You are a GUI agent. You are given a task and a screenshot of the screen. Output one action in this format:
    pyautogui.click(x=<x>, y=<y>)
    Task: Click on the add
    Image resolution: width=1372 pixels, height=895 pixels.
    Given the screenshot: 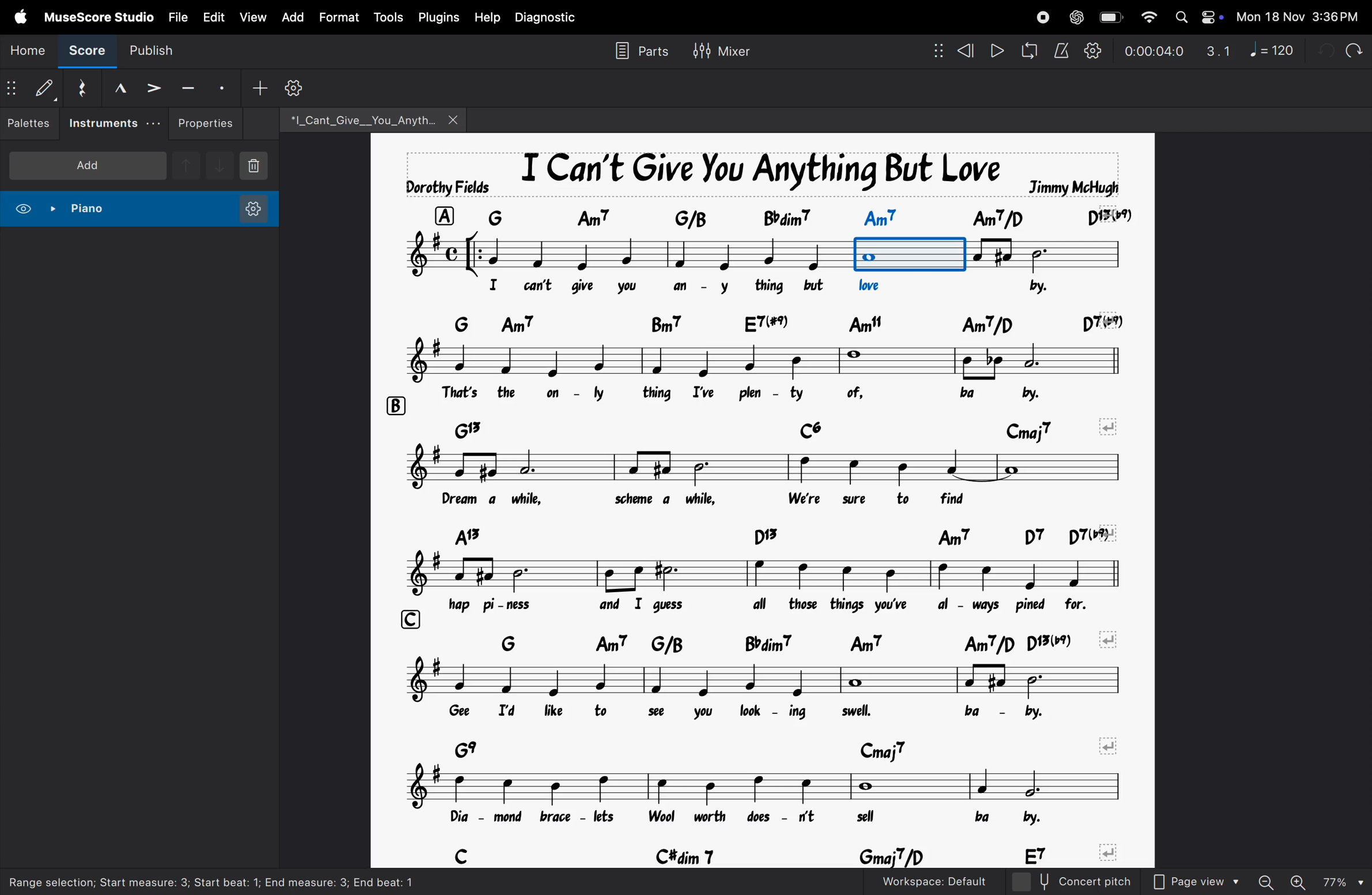 What is the action you would take?
    pyautogui.click(x=255, y=90)
    